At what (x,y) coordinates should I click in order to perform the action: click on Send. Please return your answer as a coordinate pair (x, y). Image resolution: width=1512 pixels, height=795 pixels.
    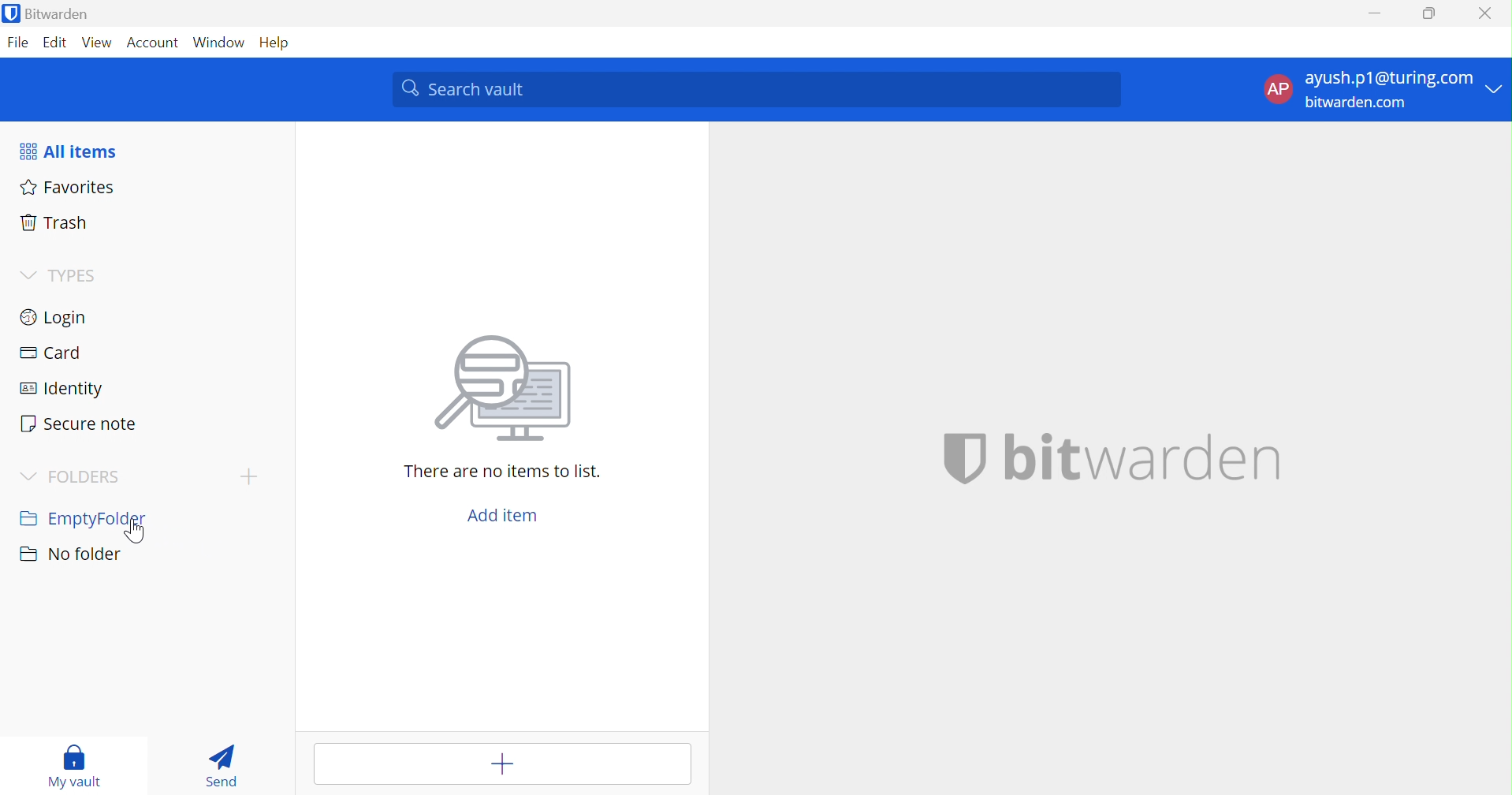
    Looking at the image, I should click on (229, 765).